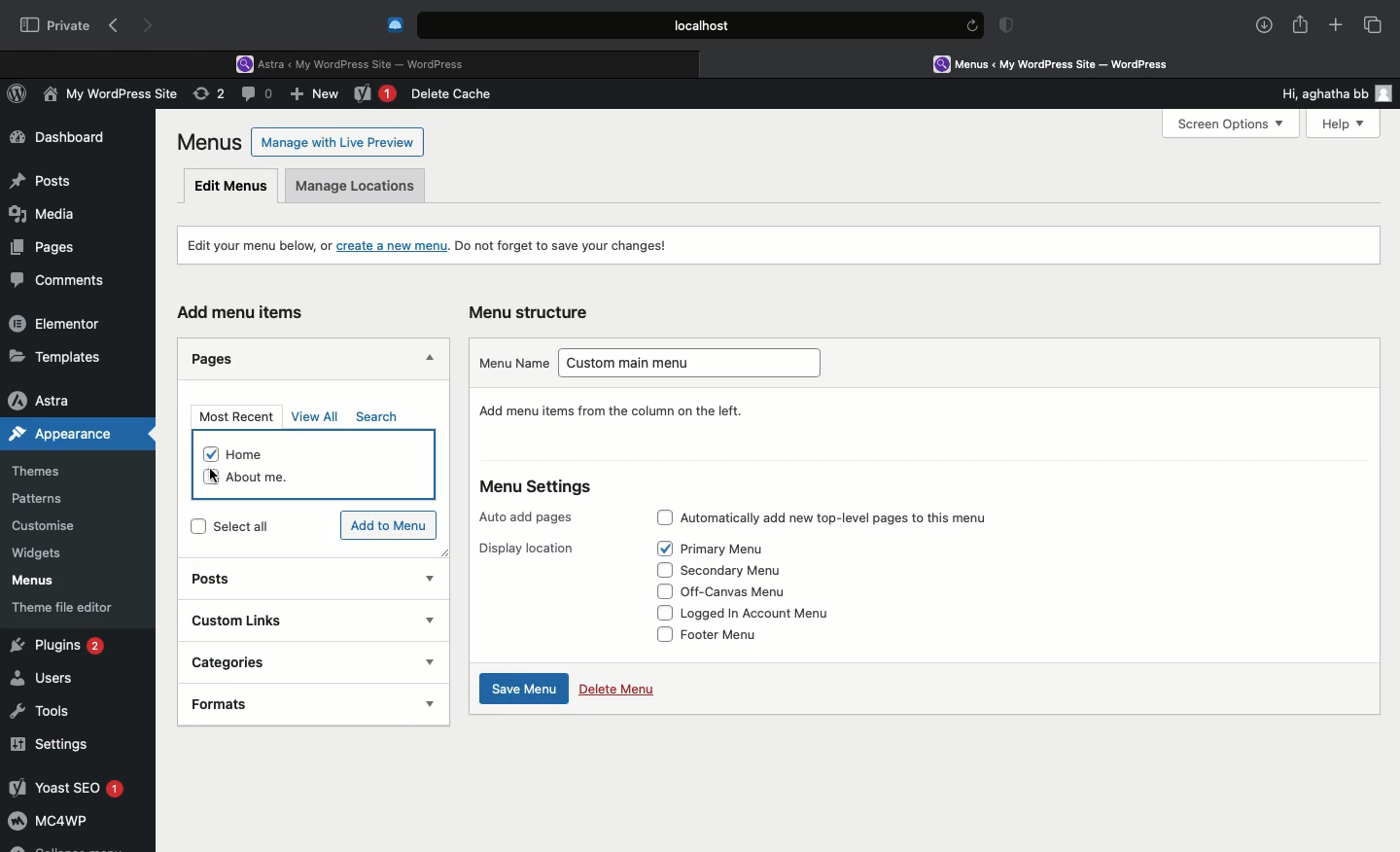 The width and height of the screenshot is (1400, 852). Describe the element at coordinates (45, 500) in the screenshot. I see `Patterns` at that location.